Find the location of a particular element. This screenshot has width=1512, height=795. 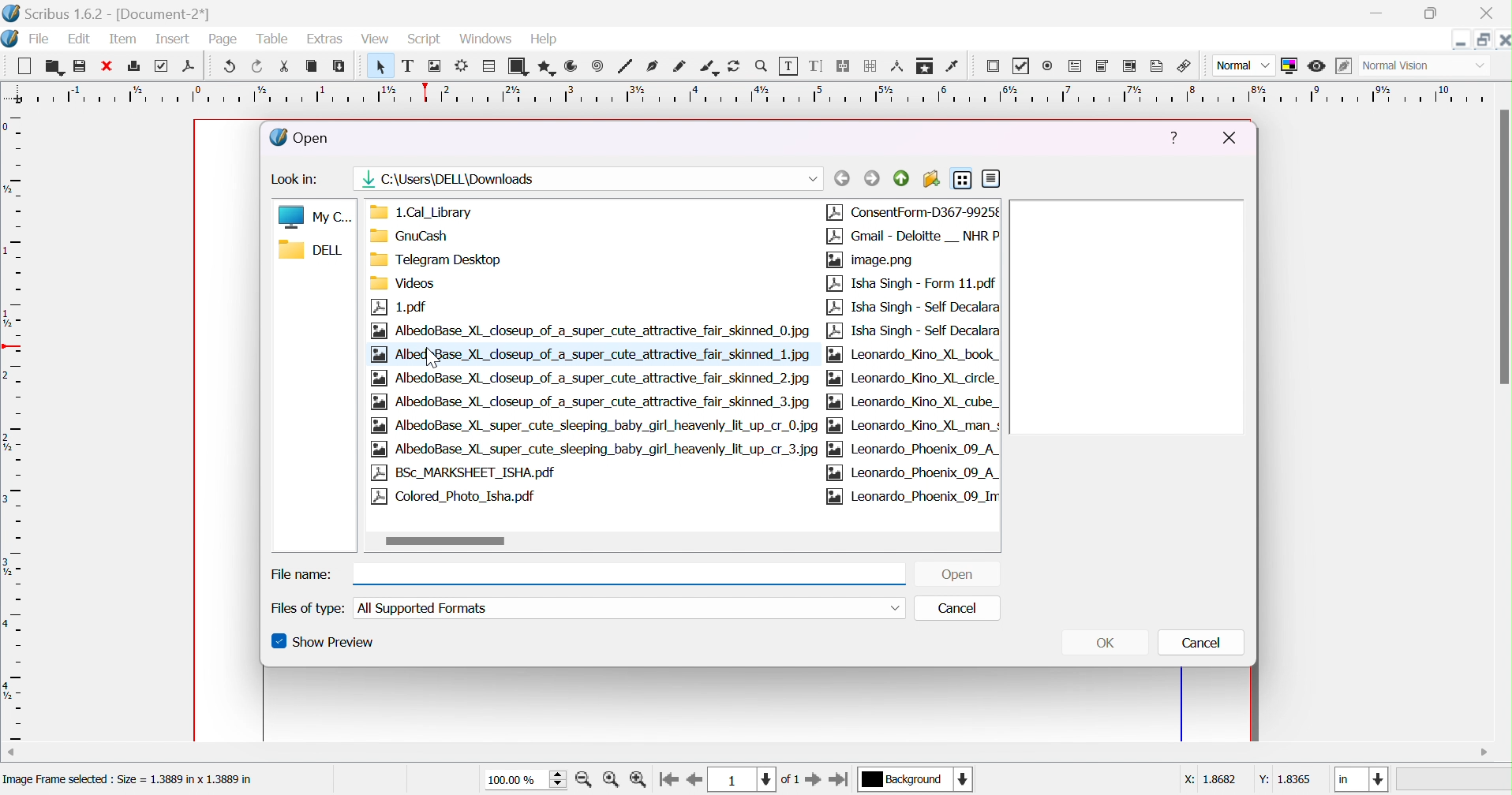

table is located at coordinates (488, 64).